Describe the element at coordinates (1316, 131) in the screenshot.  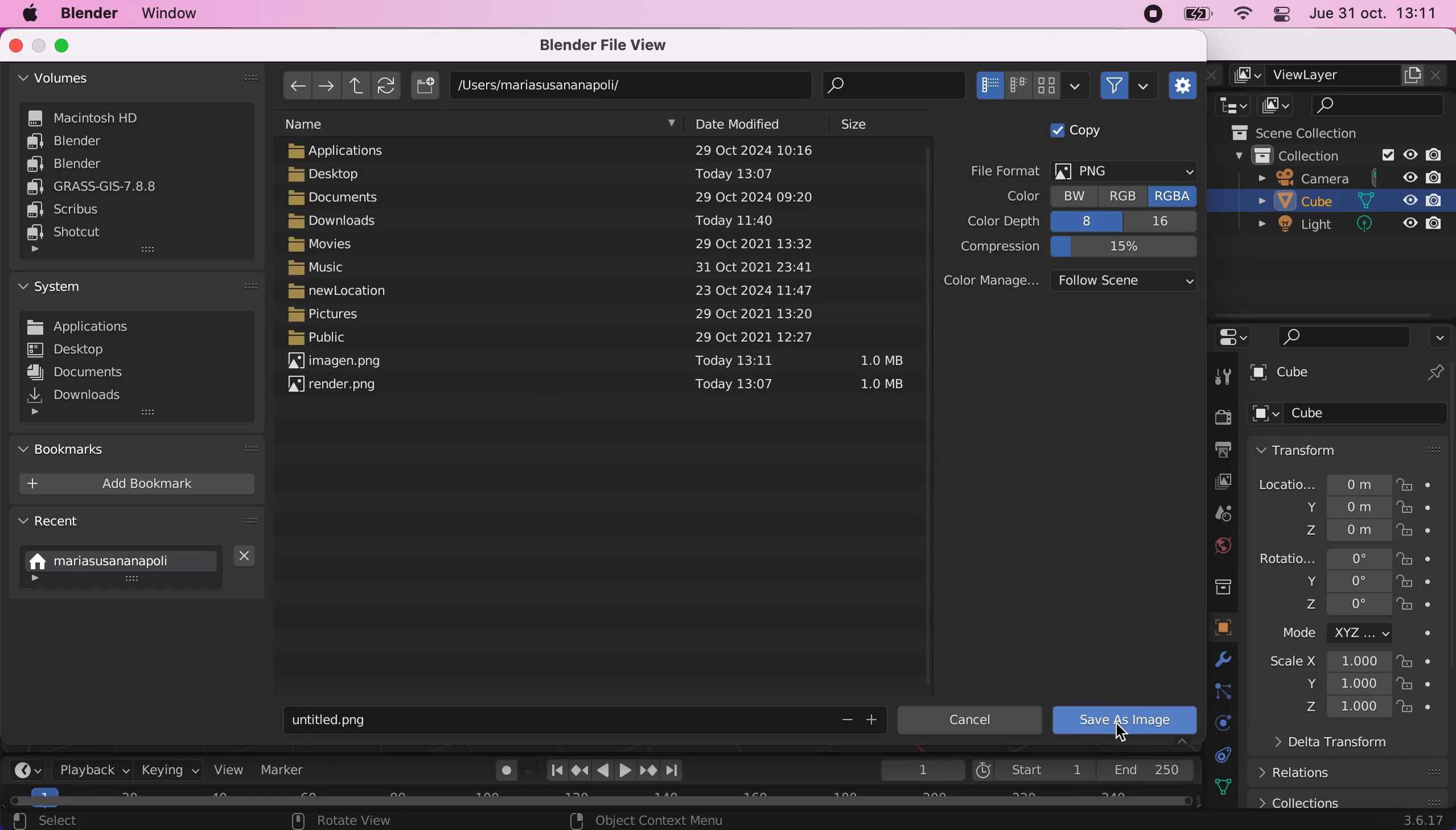
I see `scene collections` at that location.